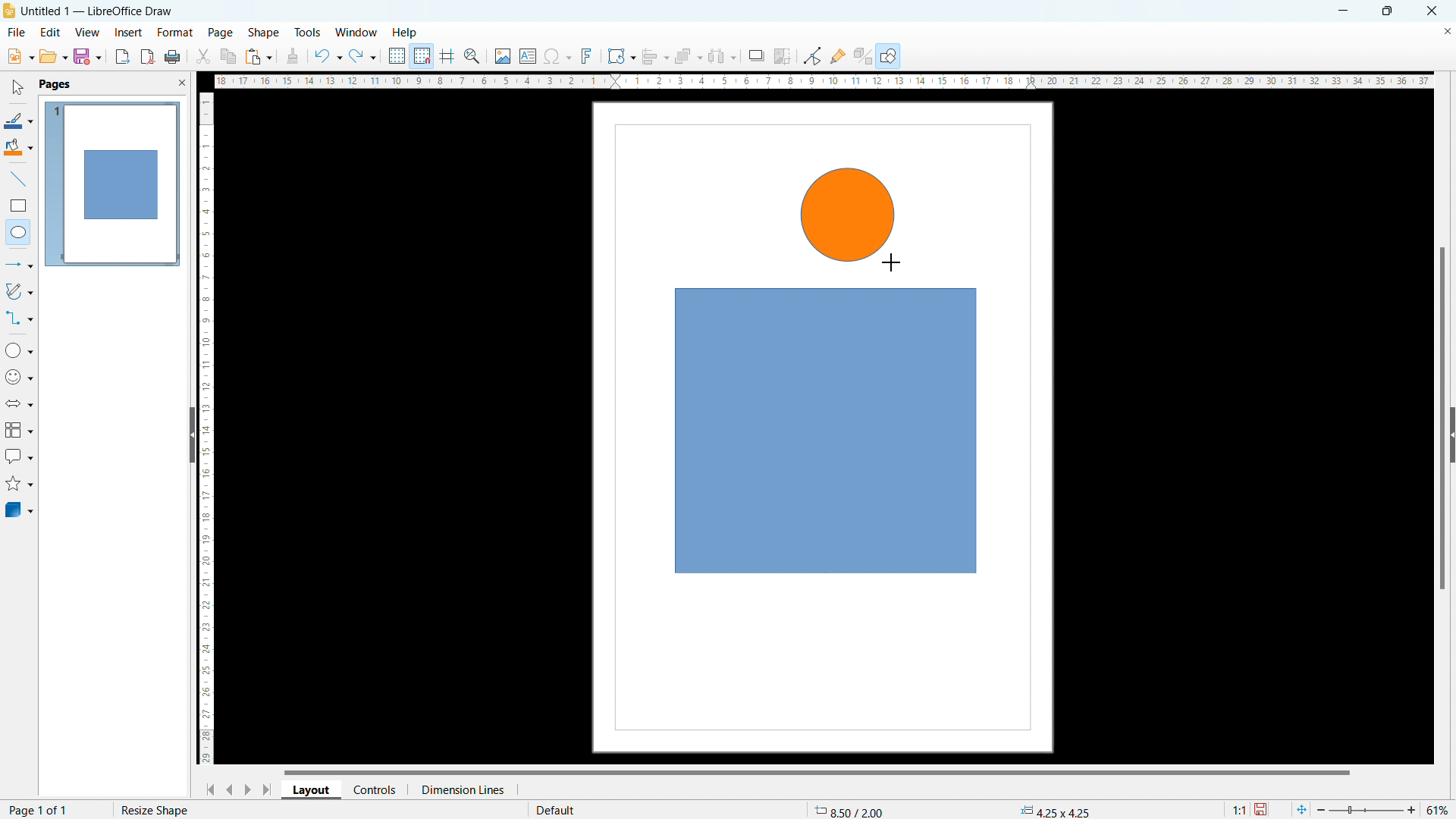 This screenshot has height=819, width=1456. What do you see at coordinates (1365, 810) in the screenshot?
I see `slider` at bounding box center [1365, 810].